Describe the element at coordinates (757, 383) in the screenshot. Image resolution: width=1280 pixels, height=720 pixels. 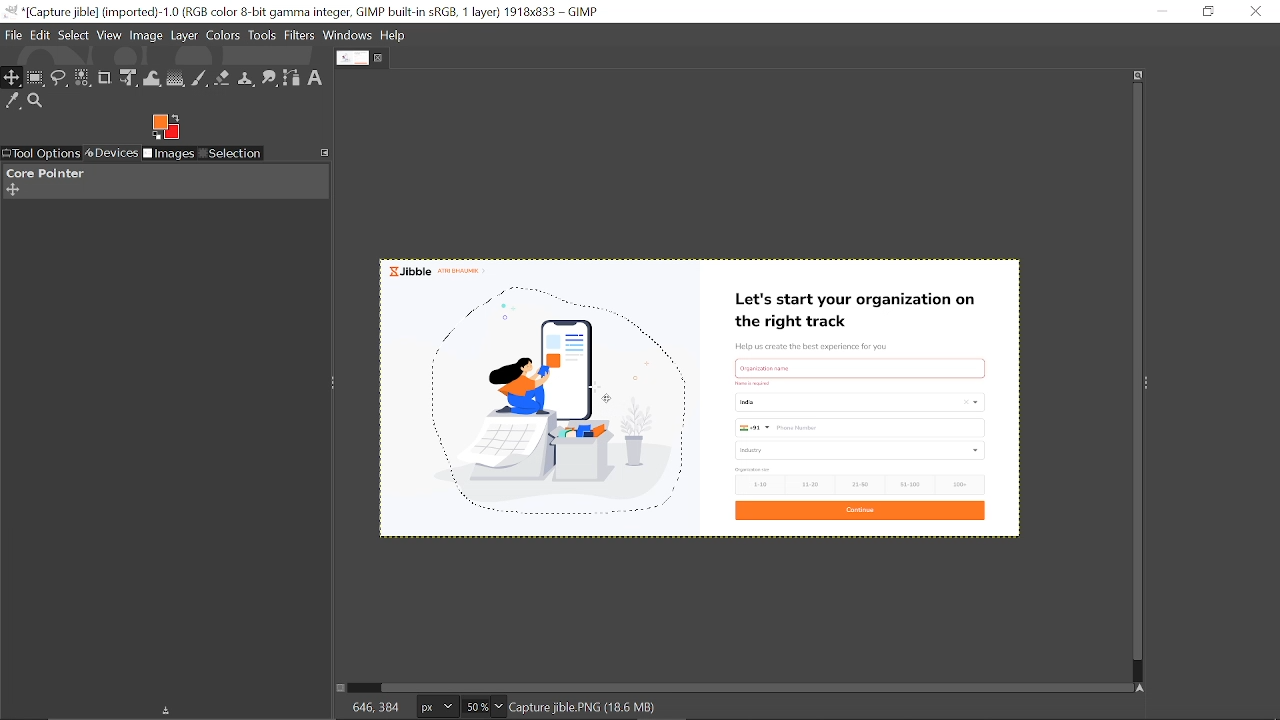
I see `` at that location.